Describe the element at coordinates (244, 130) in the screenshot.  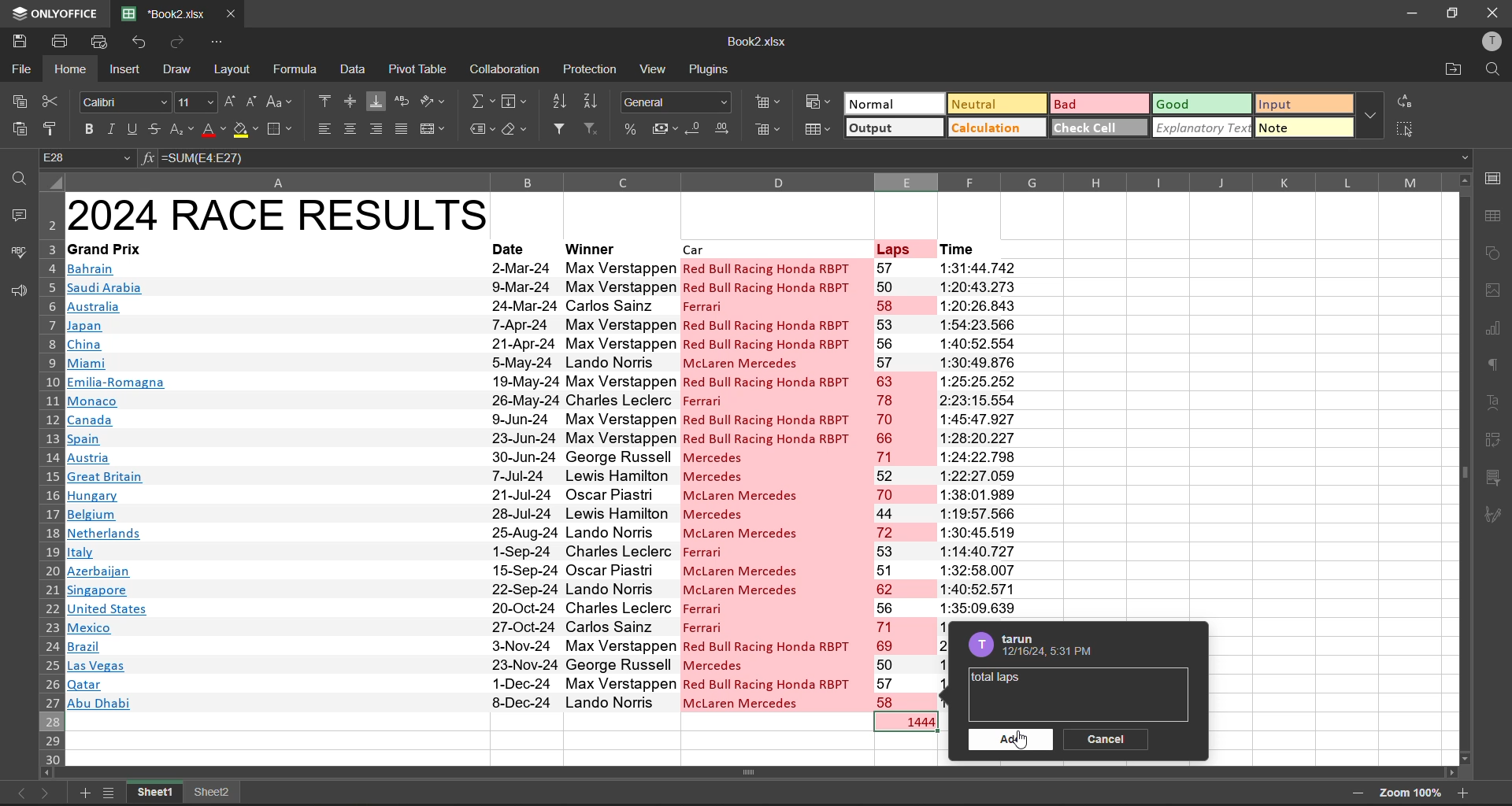
I see `fill color` at that location.